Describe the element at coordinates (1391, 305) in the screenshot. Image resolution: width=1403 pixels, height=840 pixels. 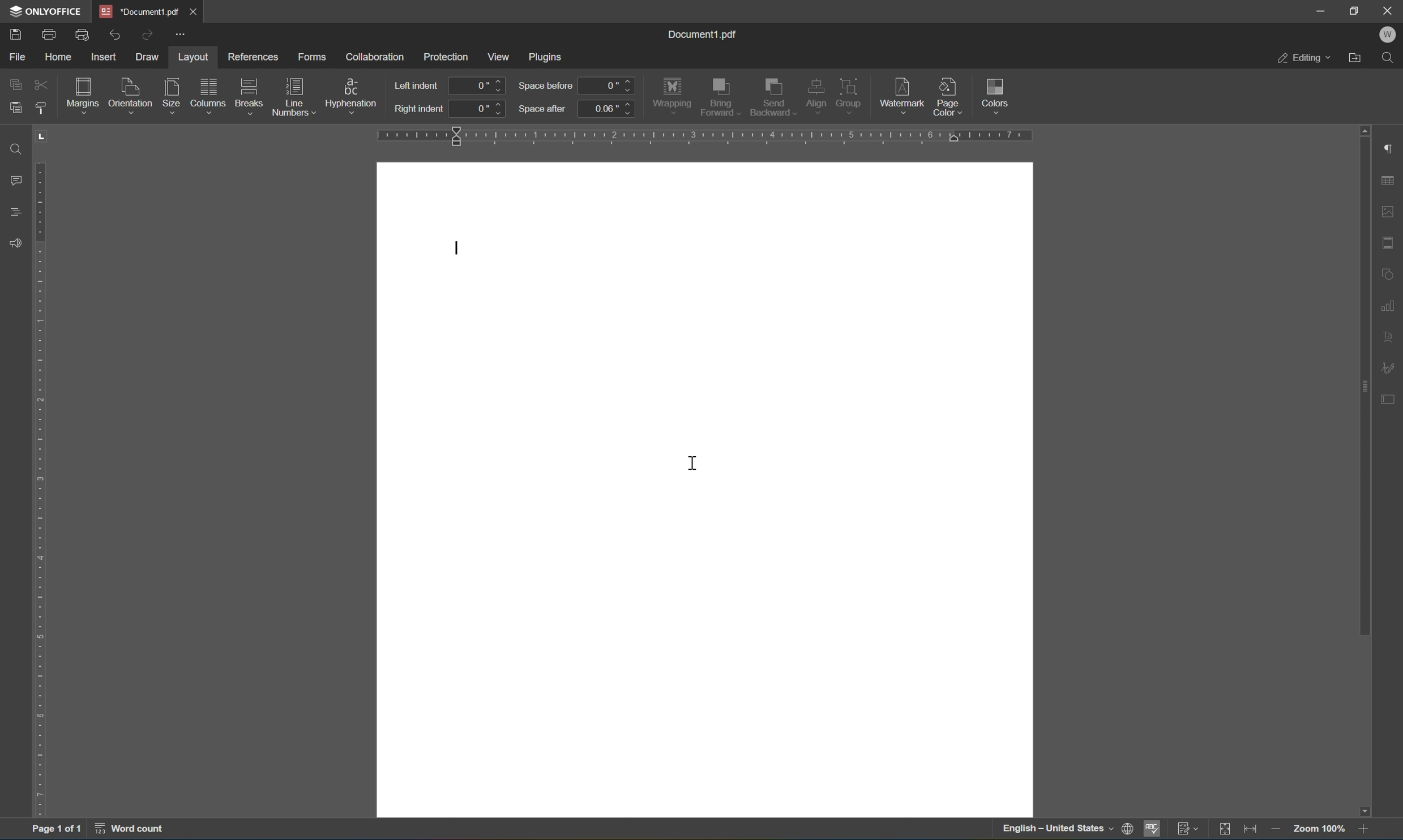
I see `chart settings` at that location.